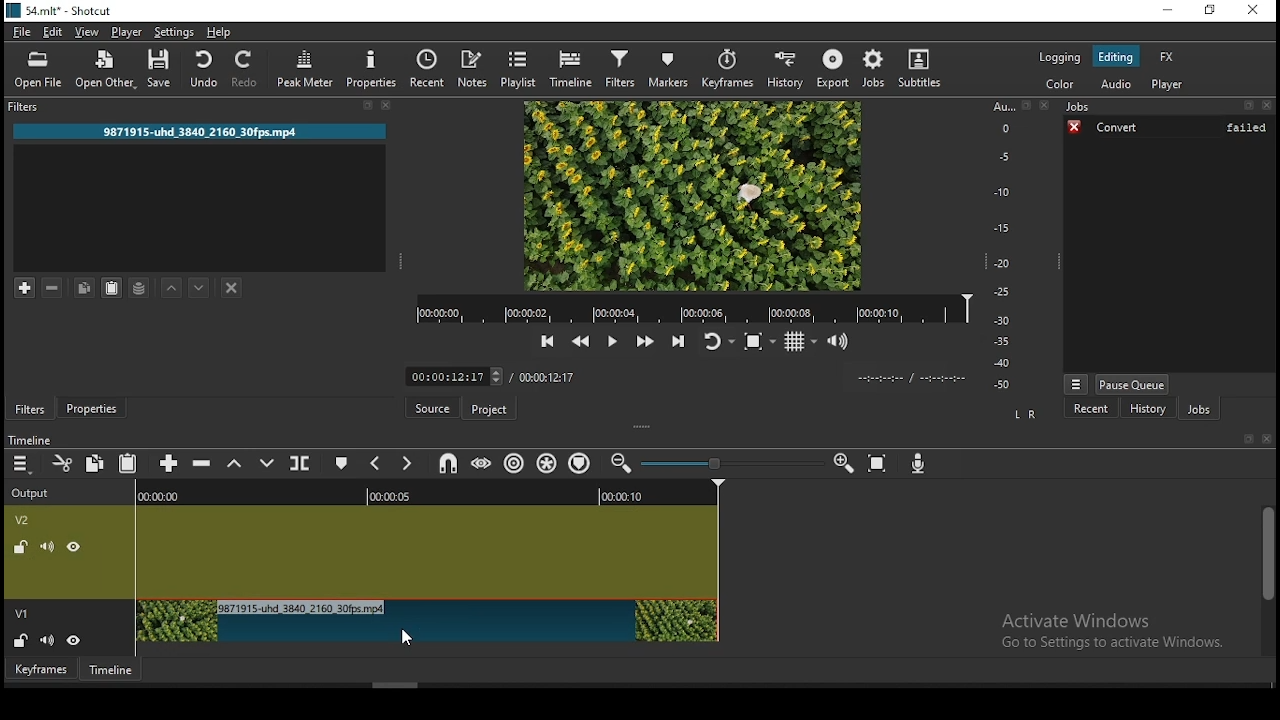 The width and height of the screenshot is (1280, 720). Describe the element at coordinates (515, 463) in the screenshot. I see `ripple` at that location.